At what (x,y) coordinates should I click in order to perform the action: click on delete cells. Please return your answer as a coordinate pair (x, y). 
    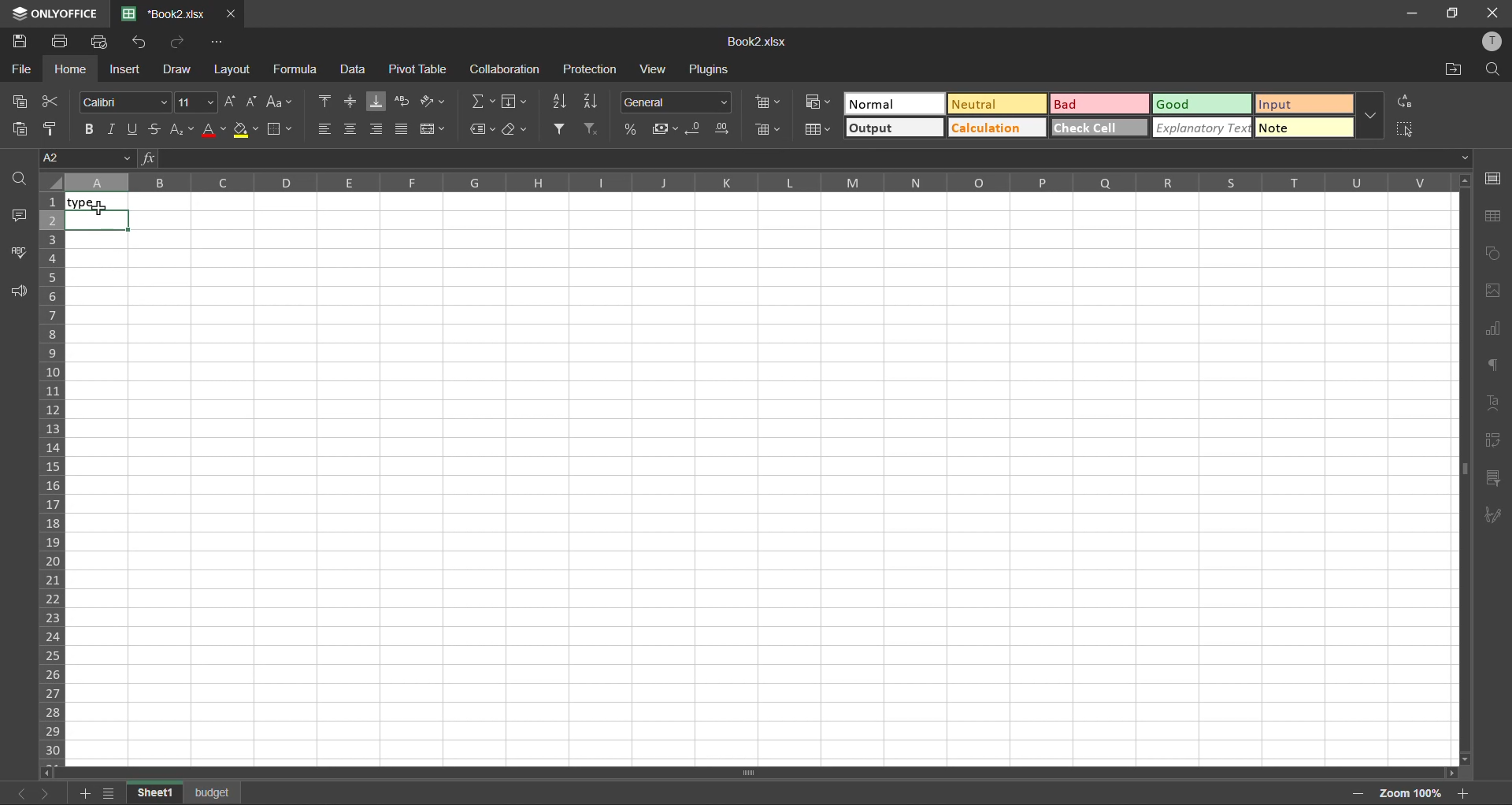
    Looking at the image, I should click on (769, 132).